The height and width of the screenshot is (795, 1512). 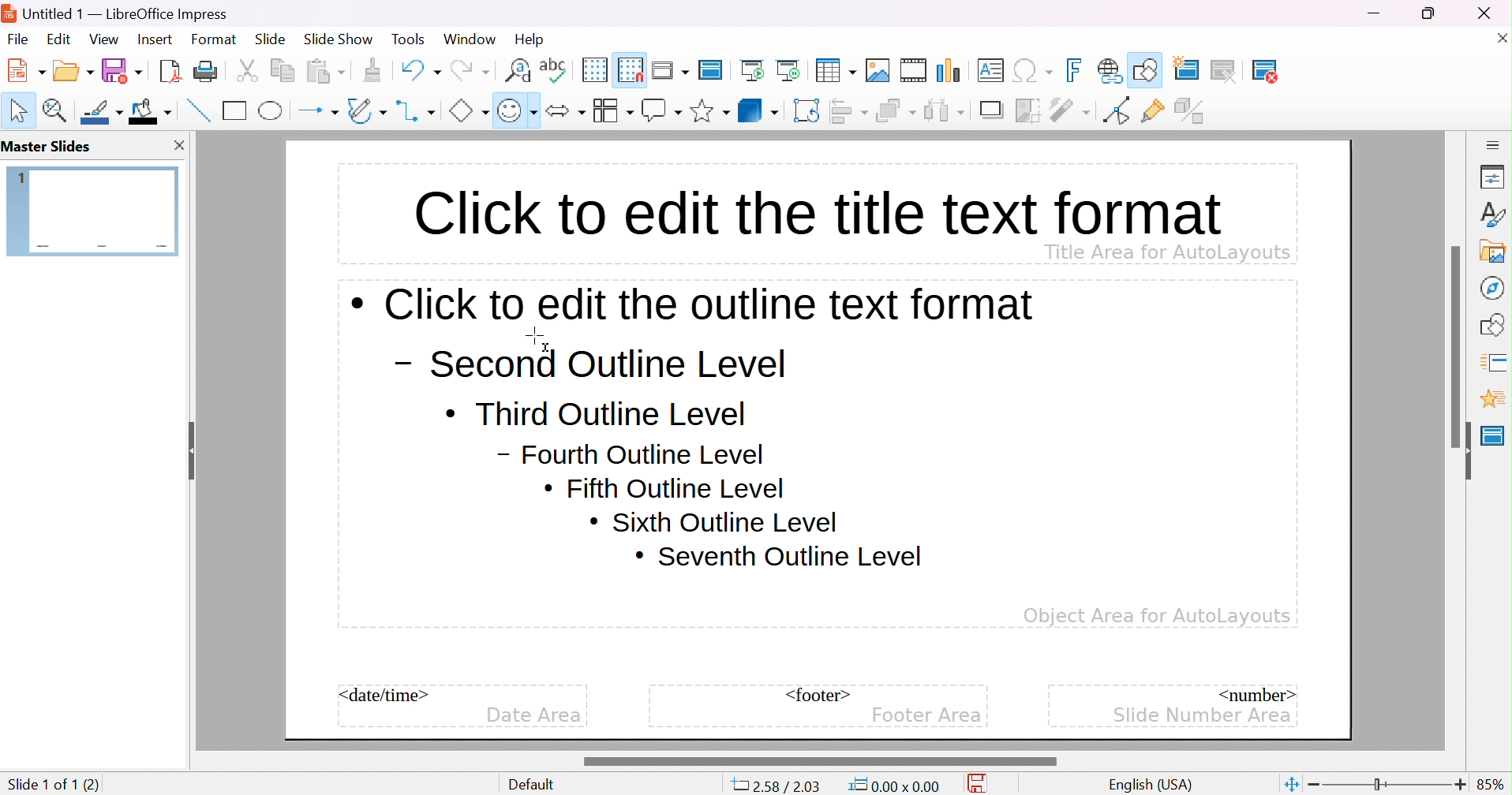 What do you see at coordinates (61, 39) in the screenshot?
I see `edit` at bounding box center [61, 39].